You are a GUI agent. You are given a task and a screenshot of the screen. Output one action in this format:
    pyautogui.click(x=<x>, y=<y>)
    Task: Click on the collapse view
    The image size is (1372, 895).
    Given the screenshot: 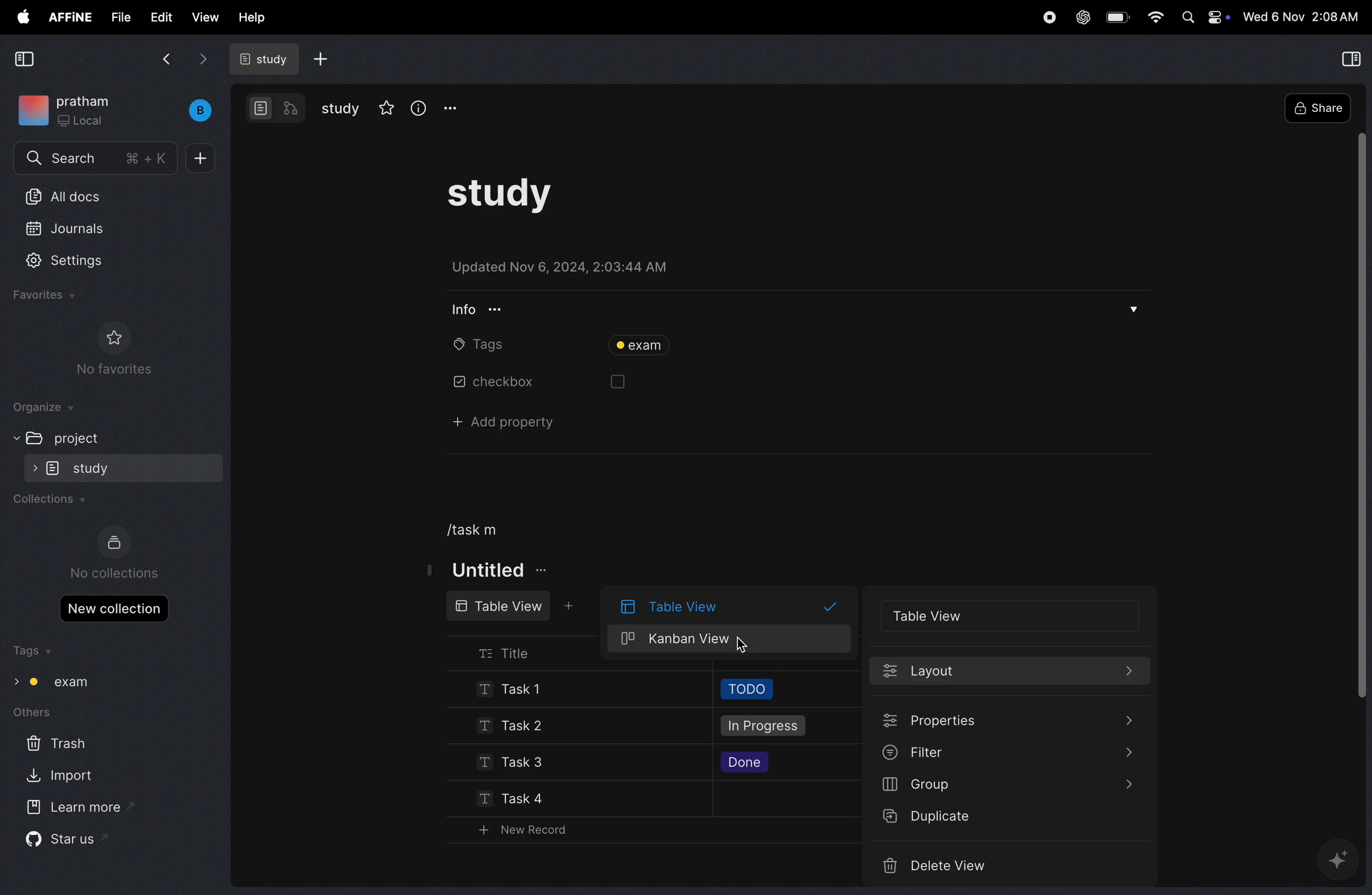 What is the action you would take?
    pyautogui.click(x=27, y=58)
    